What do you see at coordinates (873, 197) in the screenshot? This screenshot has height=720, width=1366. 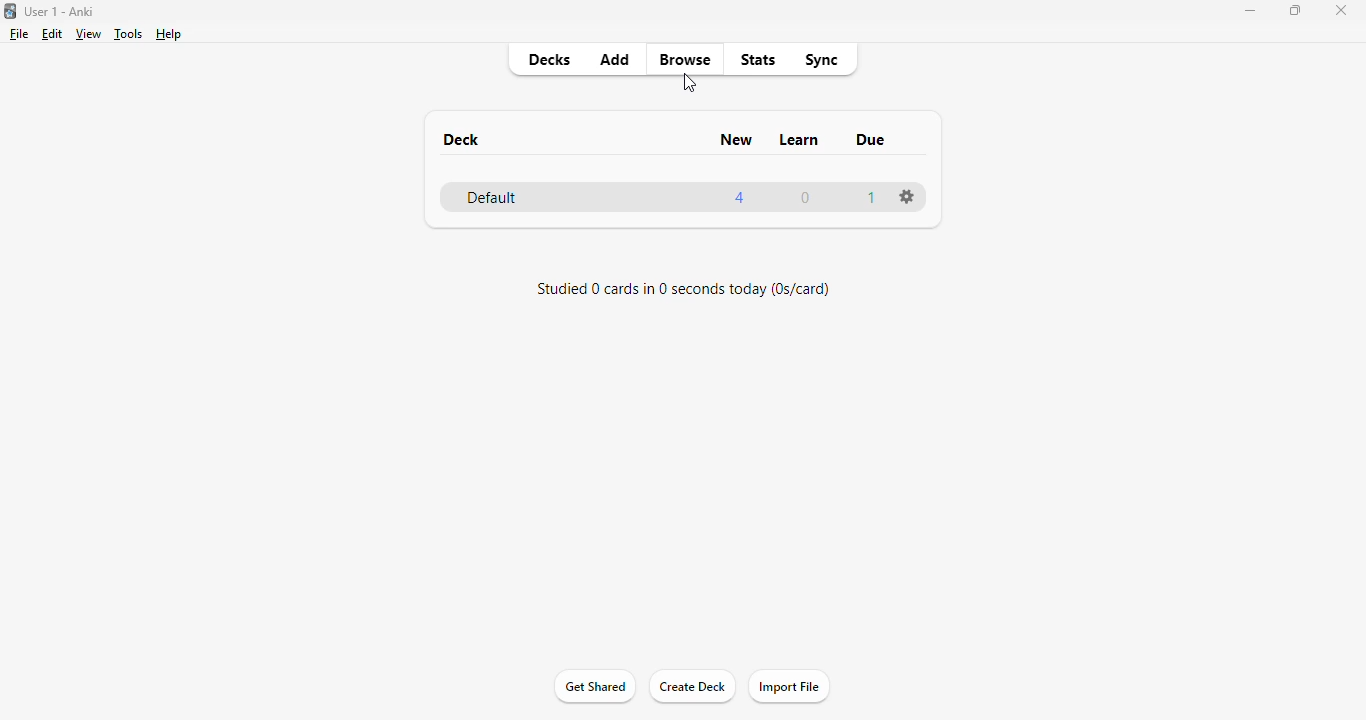 I see `1` at bounding box center [873, 197].